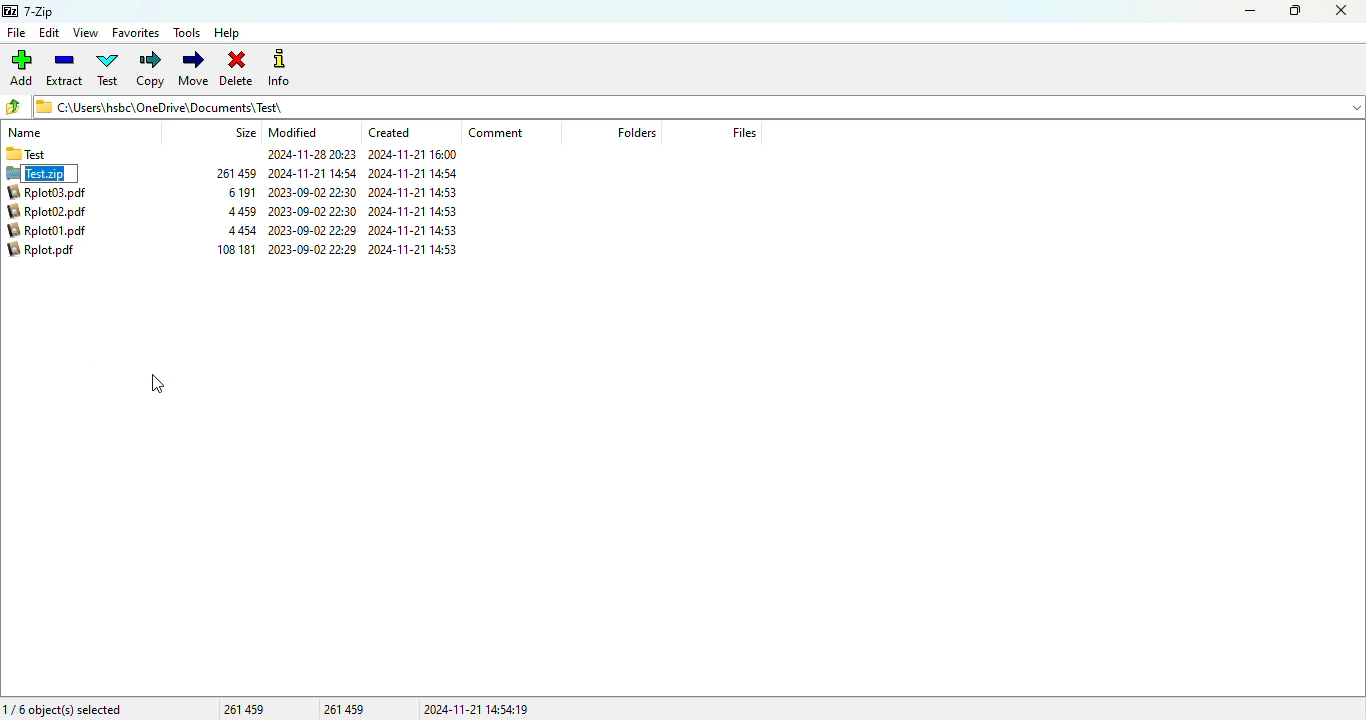  What do you see at coordinates (415, 229) in the screenshot?
I see `2024-11-21 14:53` at bounding box center [415, 229].